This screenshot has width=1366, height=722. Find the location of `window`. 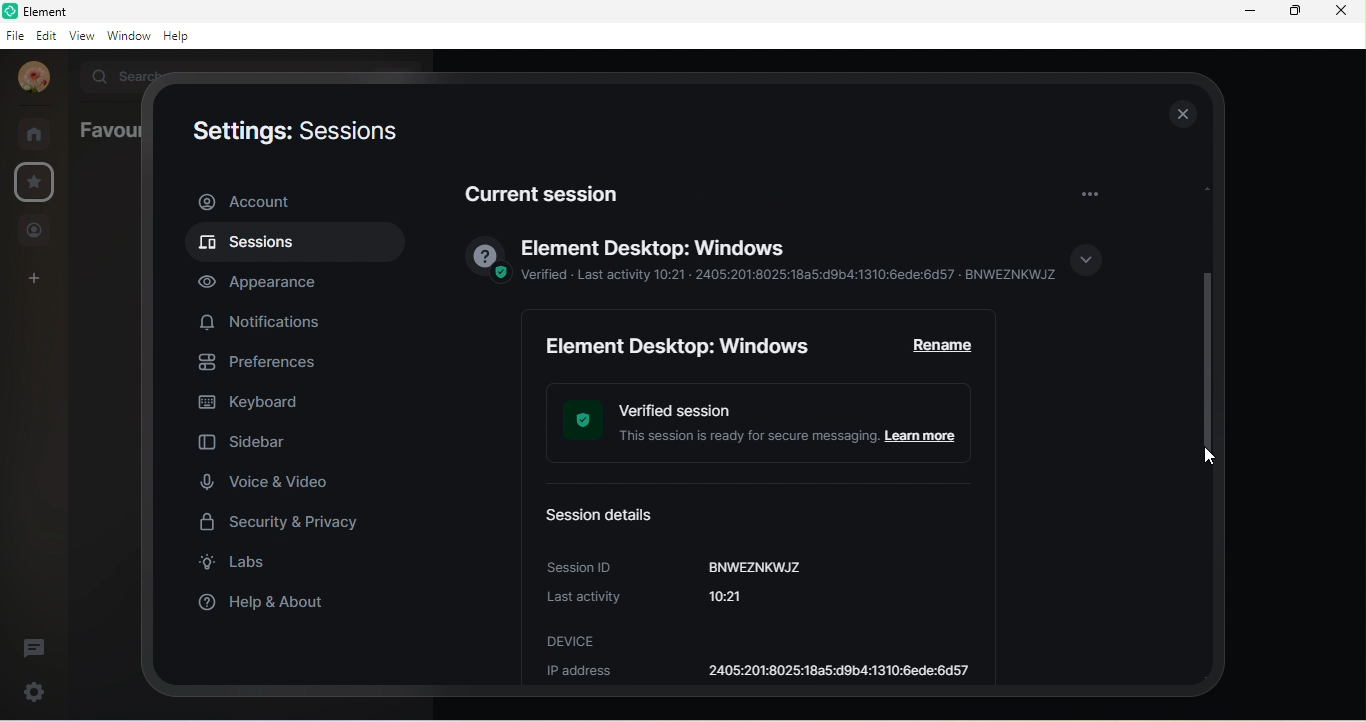

window is located at coordinates (128, 35).